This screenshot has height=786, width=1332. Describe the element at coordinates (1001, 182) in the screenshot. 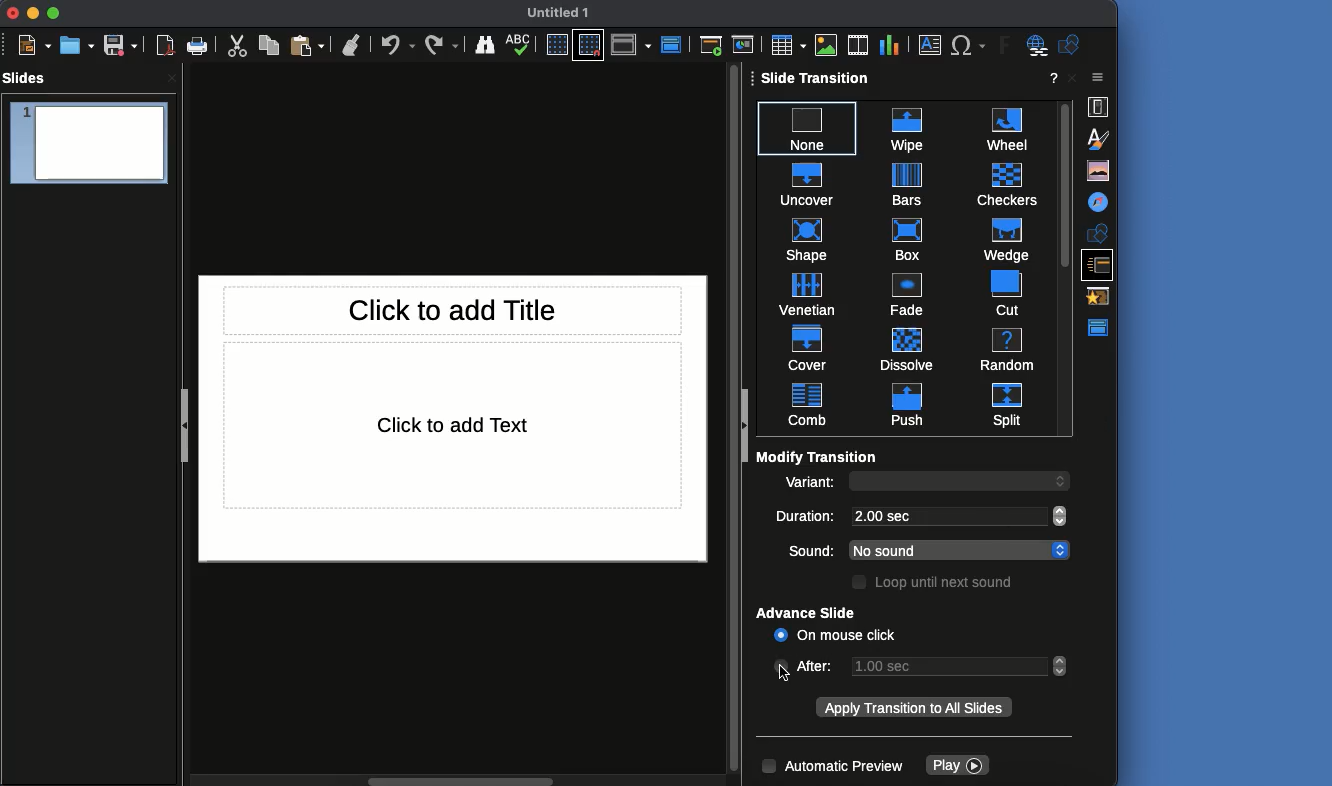

I see `checkers` at that location.